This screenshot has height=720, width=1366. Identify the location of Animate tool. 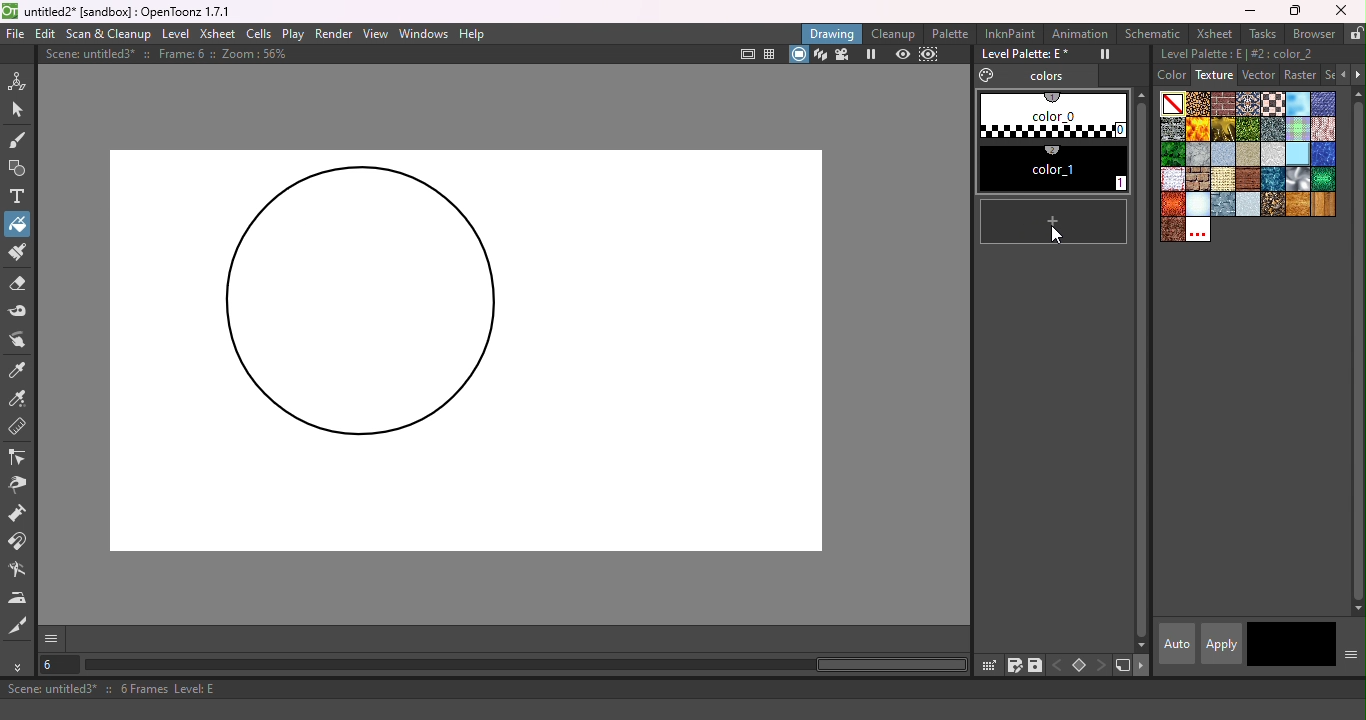
(21, 78).